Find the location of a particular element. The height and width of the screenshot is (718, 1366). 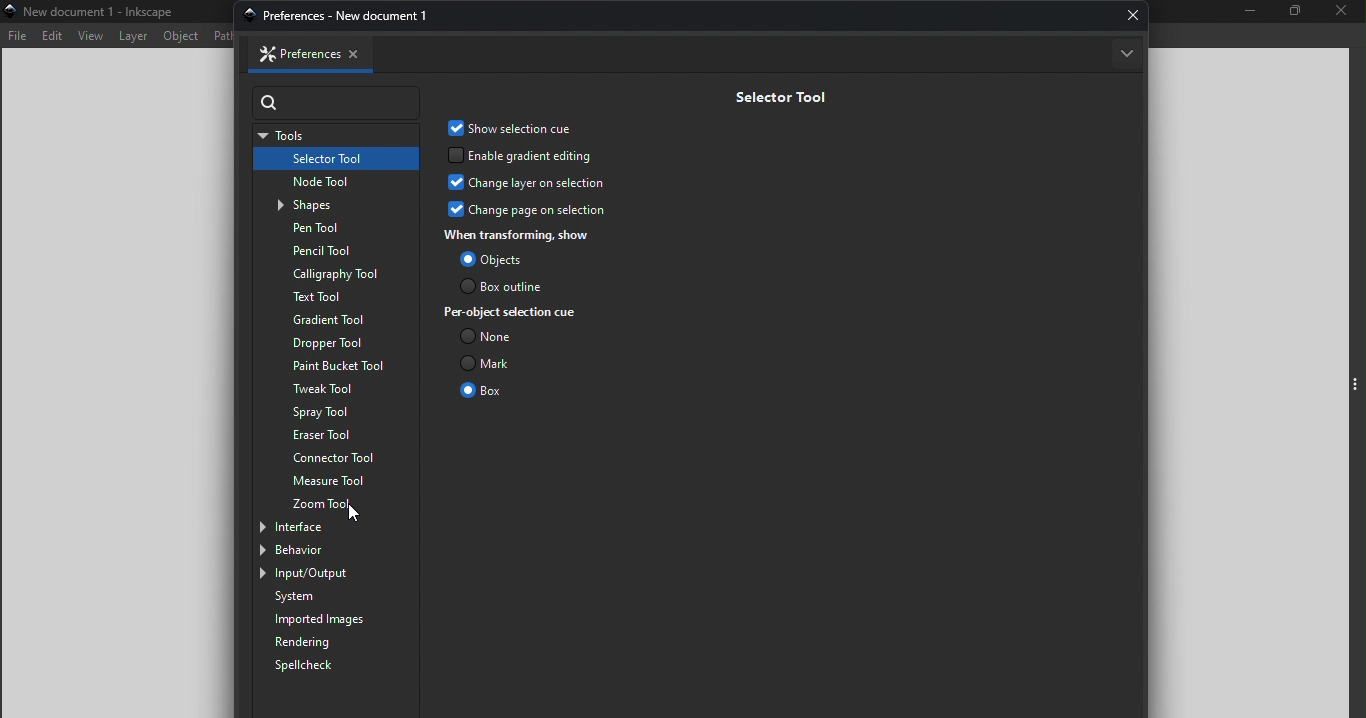

Spray tool is located at coordinates (338, 411).